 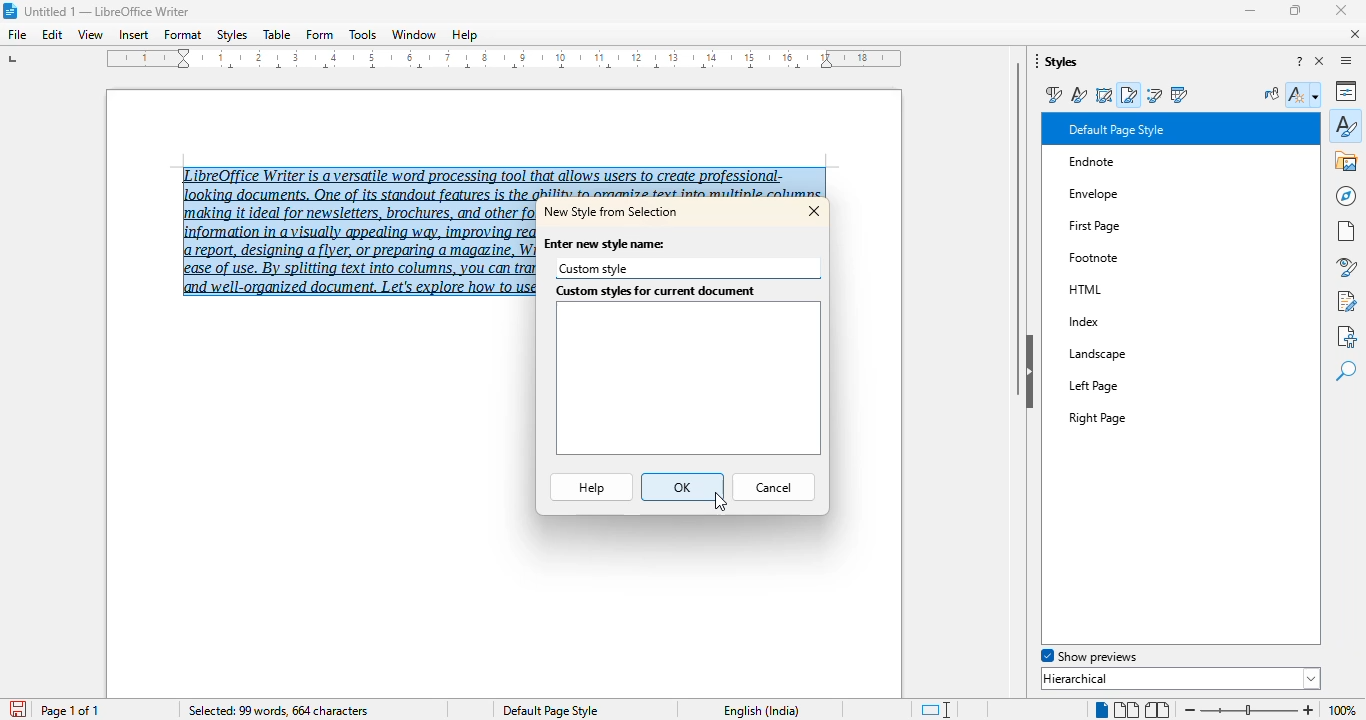 What do you see at coordinates (1052, 95) in the screenshot?
I see `paragraph styles` at bounding box center [1052, 95].